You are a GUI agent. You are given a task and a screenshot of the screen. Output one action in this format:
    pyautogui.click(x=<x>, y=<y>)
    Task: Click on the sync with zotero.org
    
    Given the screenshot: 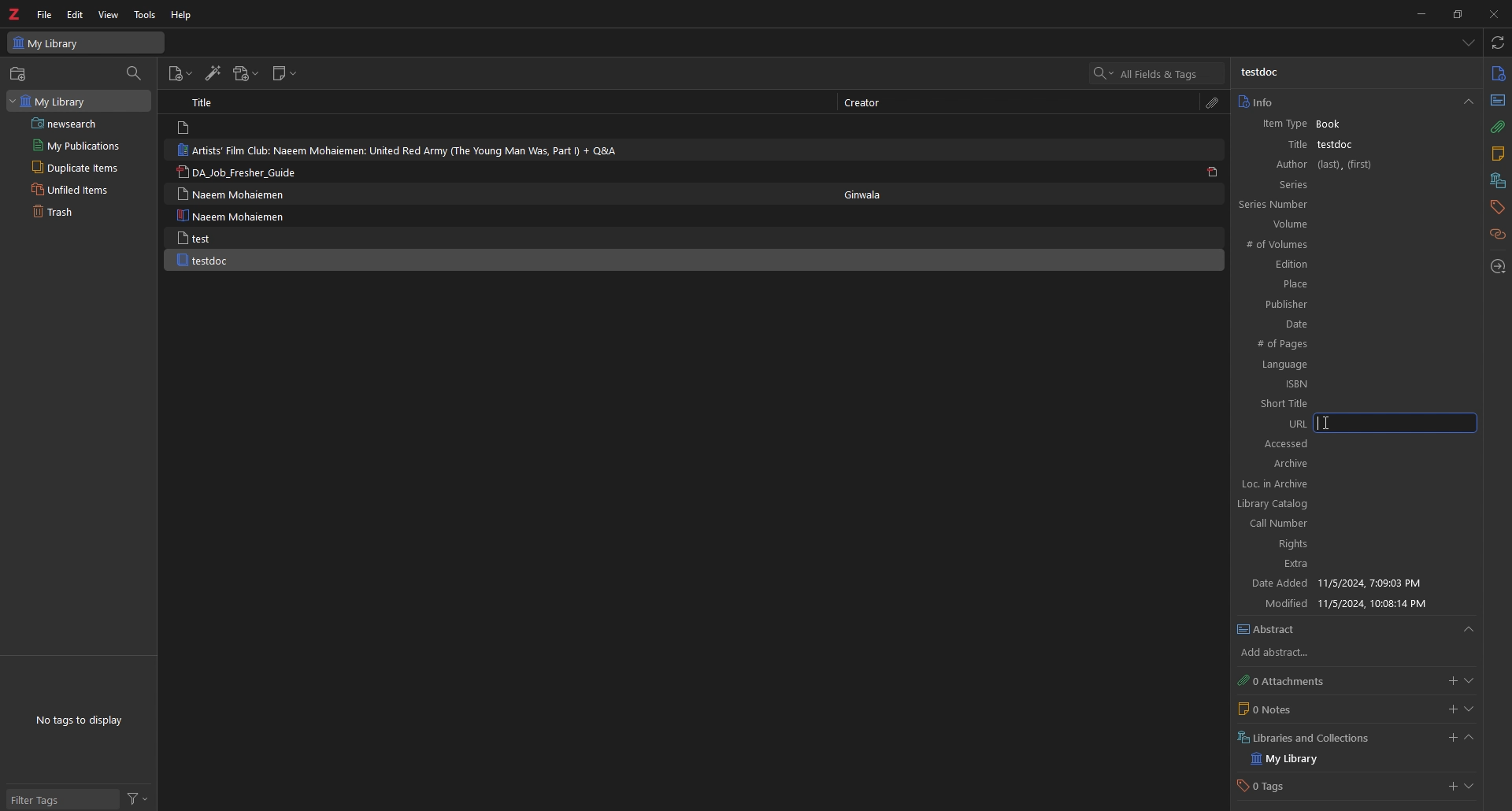 What is the action you would take?
    pyautogui.click(x=1497, y=42)
    